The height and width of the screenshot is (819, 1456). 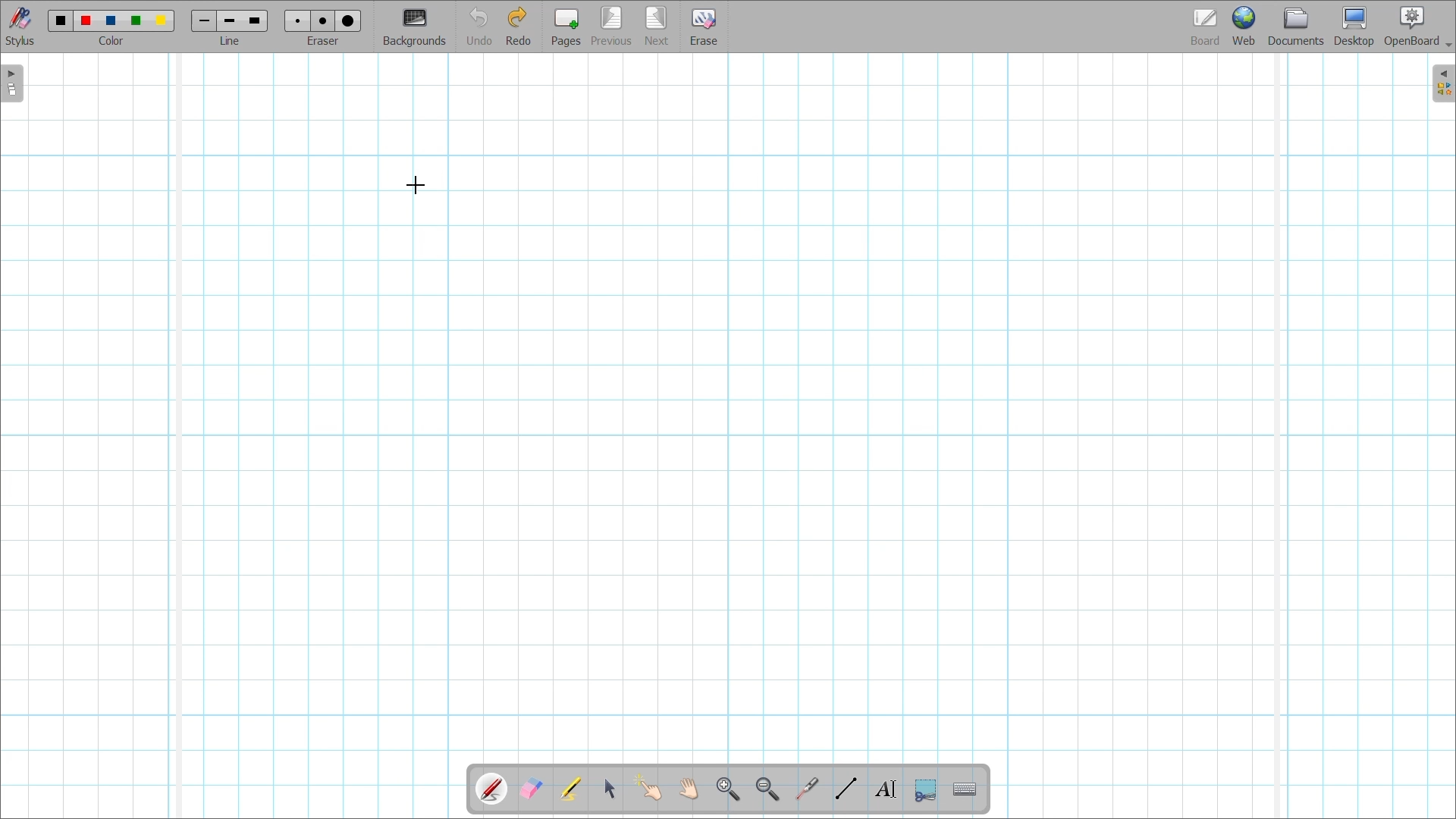 What do you see at coordinates (704, 27) in the screenshot?
I see `Eraser` at bounding box center [704, 27].